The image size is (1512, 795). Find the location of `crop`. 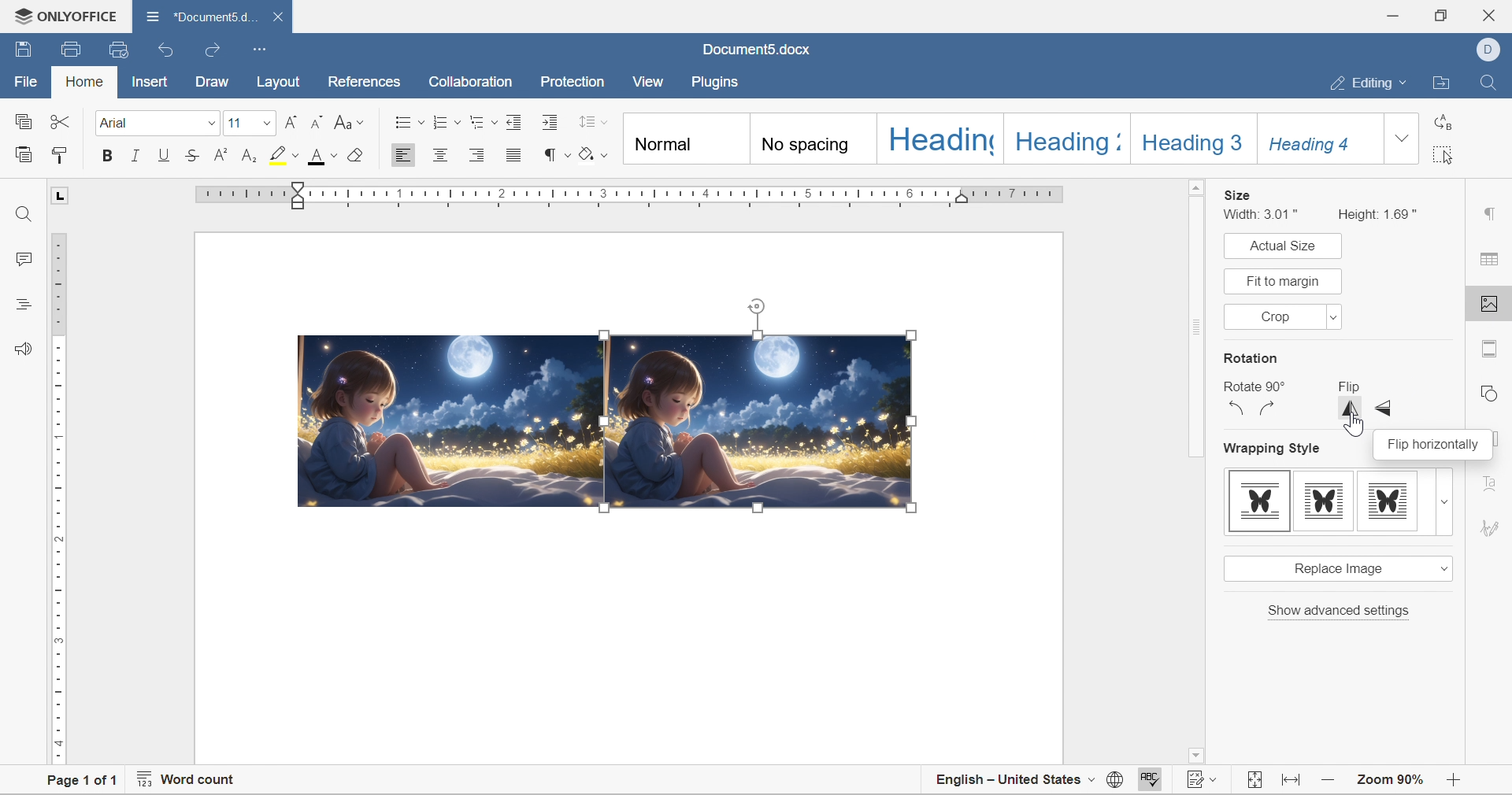

crop is located at coordinates (1280, 316).